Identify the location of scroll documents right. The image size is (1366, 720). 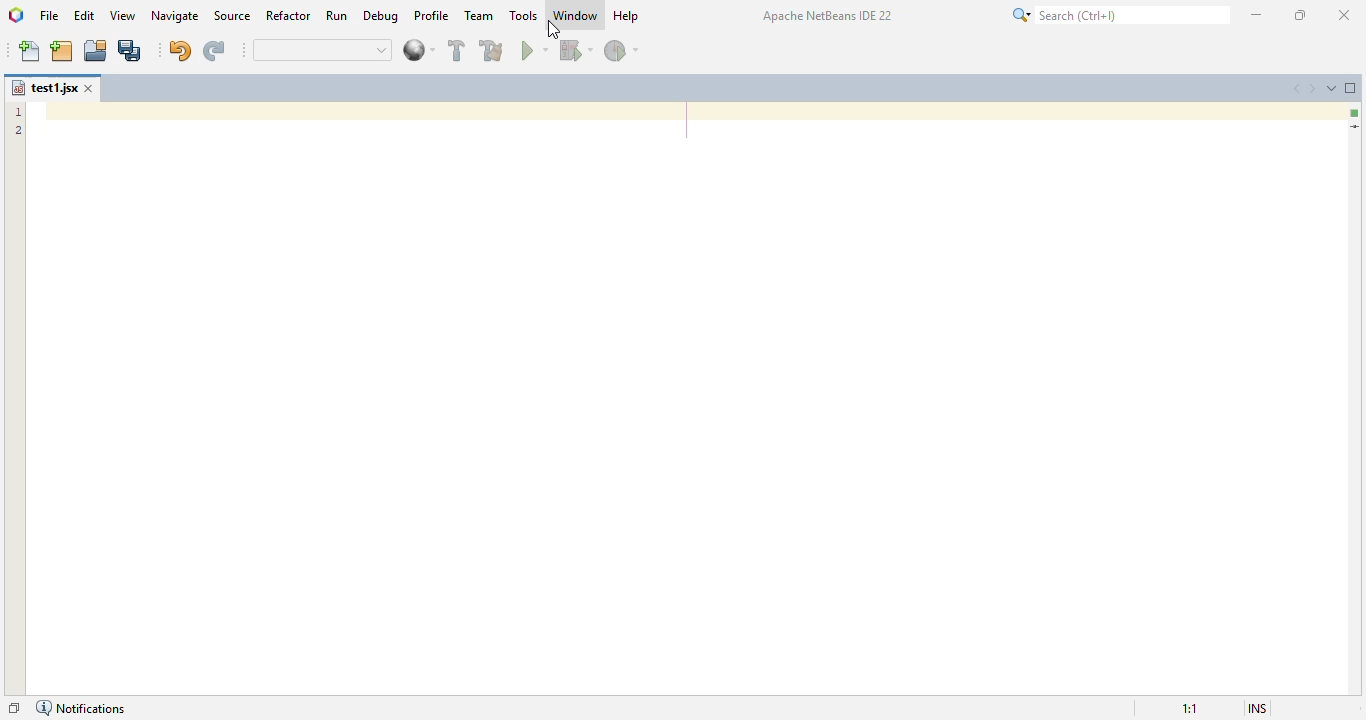
(1313, 88).